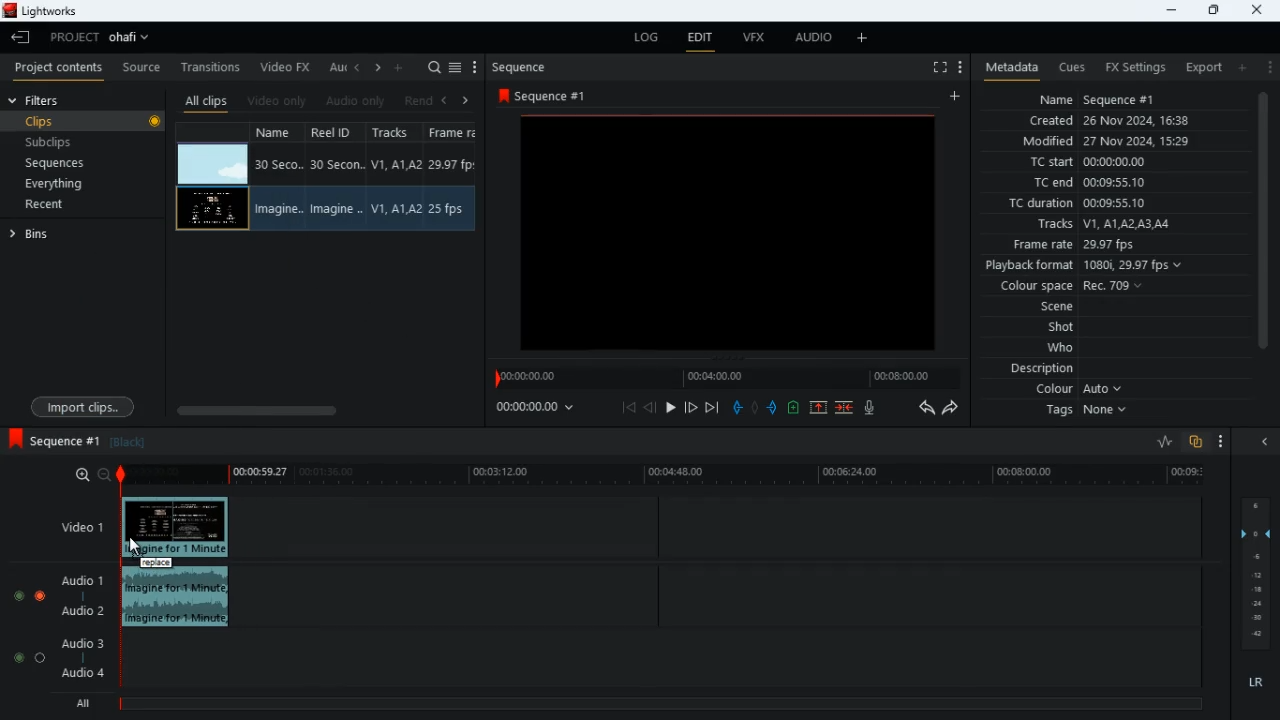  I want to click on sequence, so click(558, 95).